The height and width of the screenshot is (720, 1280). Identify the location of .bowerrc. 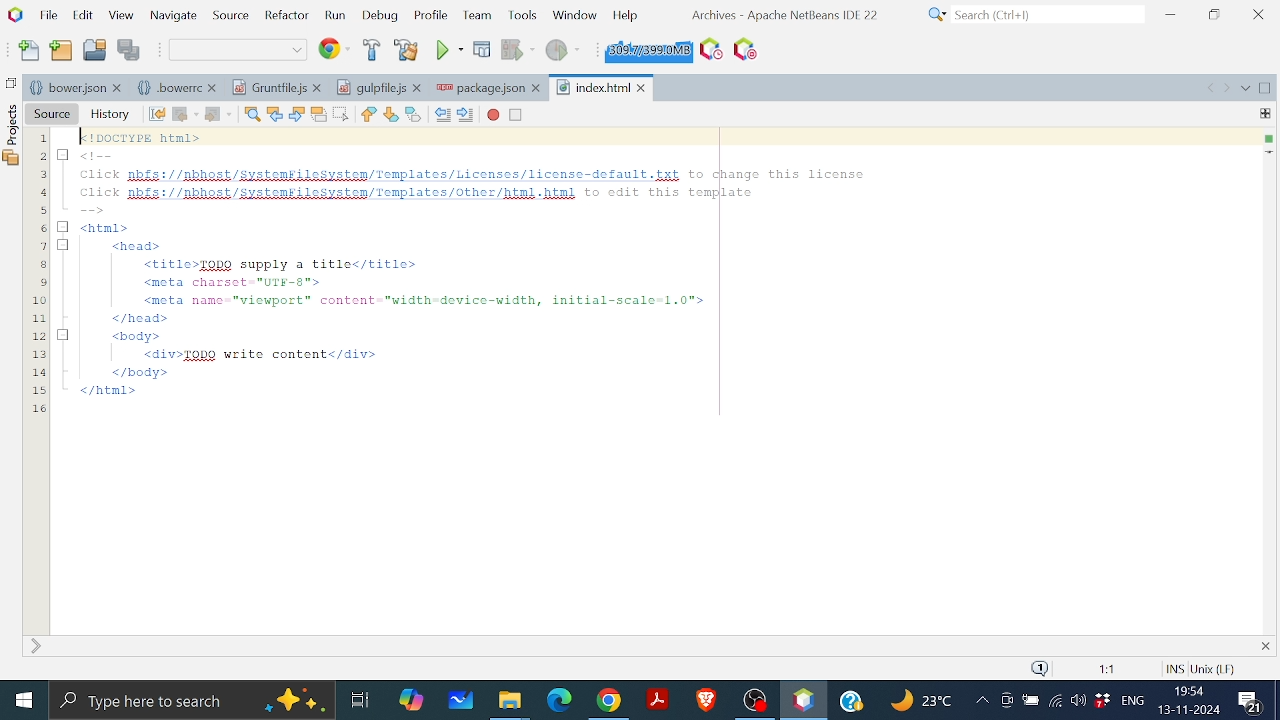
(170, 89).